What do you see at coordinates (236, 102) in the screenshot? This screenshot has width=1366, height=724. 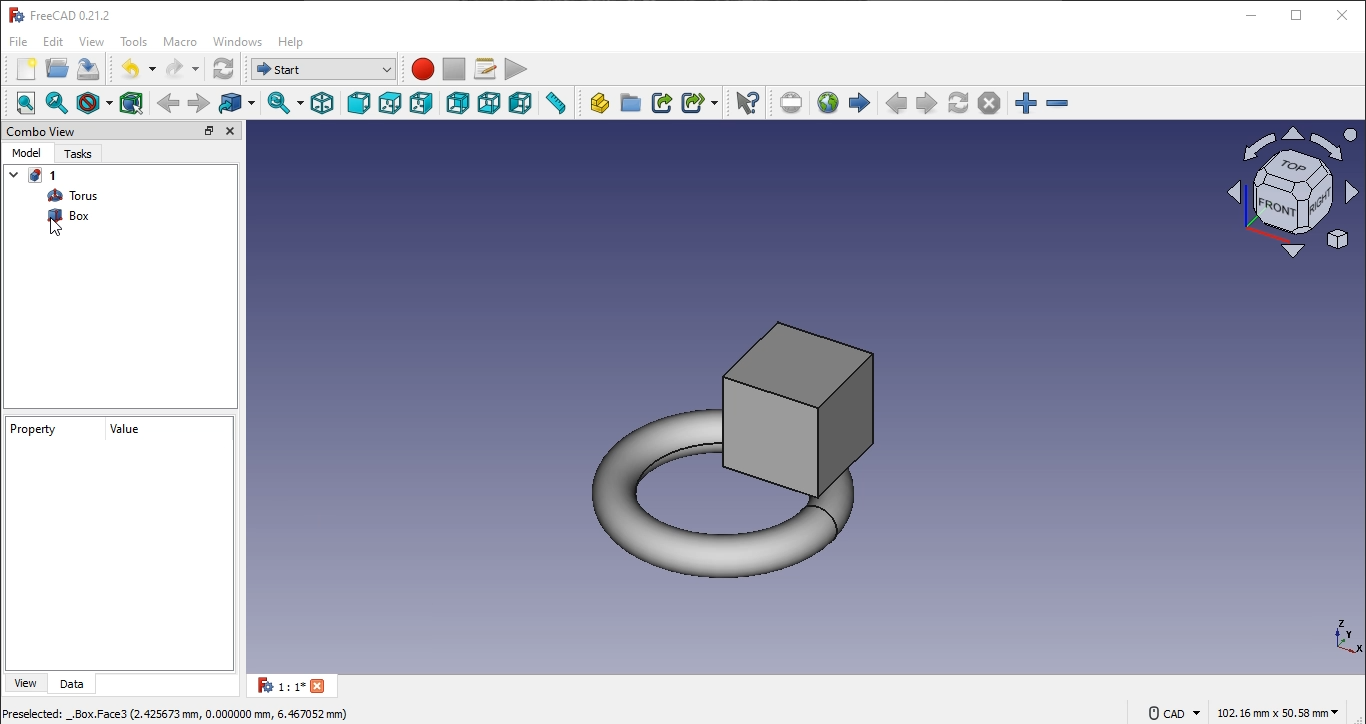 I see `go to linked object` at bounding box center [236, 102].